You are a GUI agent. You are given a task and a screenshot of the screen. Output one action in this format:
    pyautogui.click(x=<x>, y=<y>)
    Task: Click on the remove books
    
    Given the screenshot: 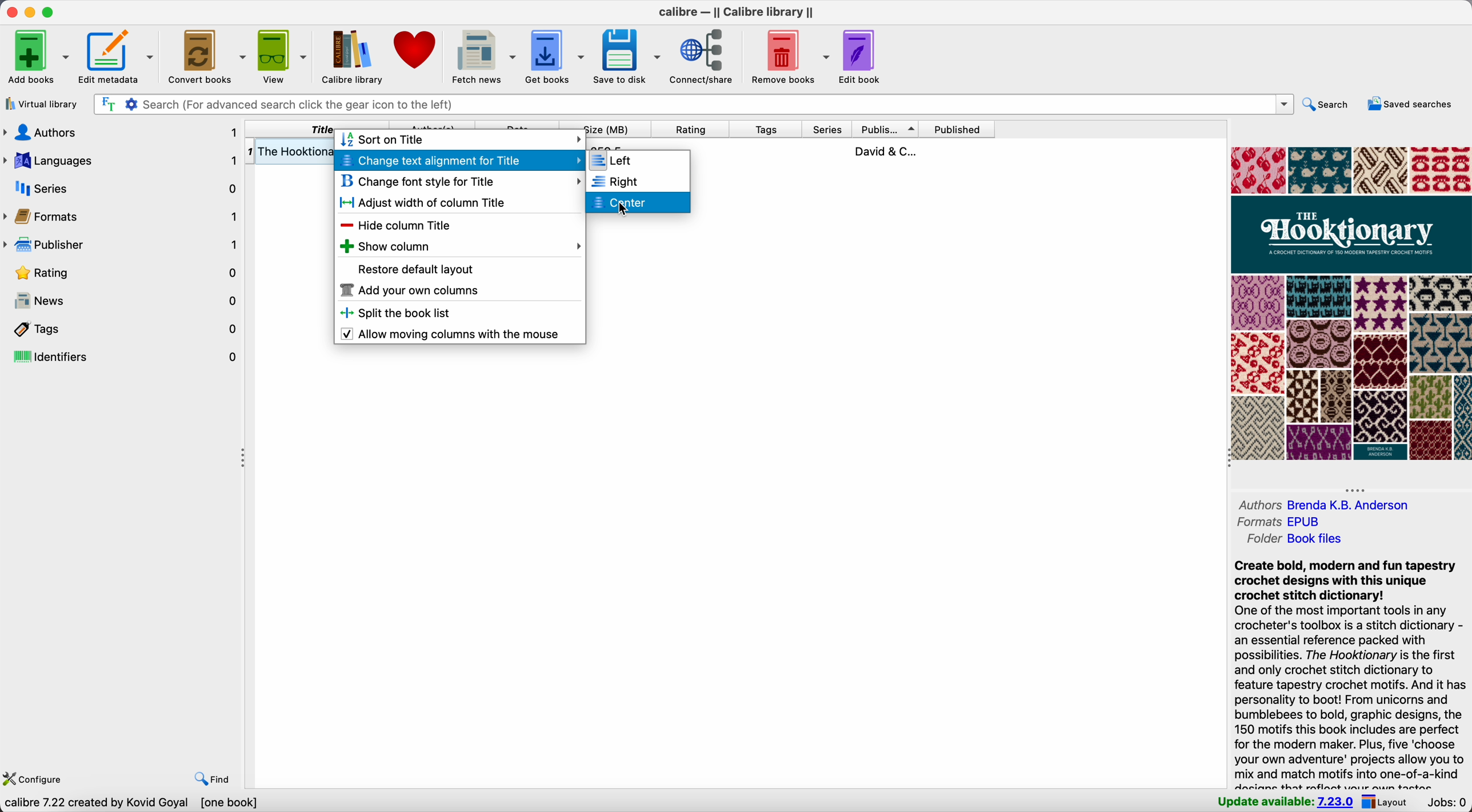 What is the action you would take?
    pyautogui.click(x=789, y=57)
    